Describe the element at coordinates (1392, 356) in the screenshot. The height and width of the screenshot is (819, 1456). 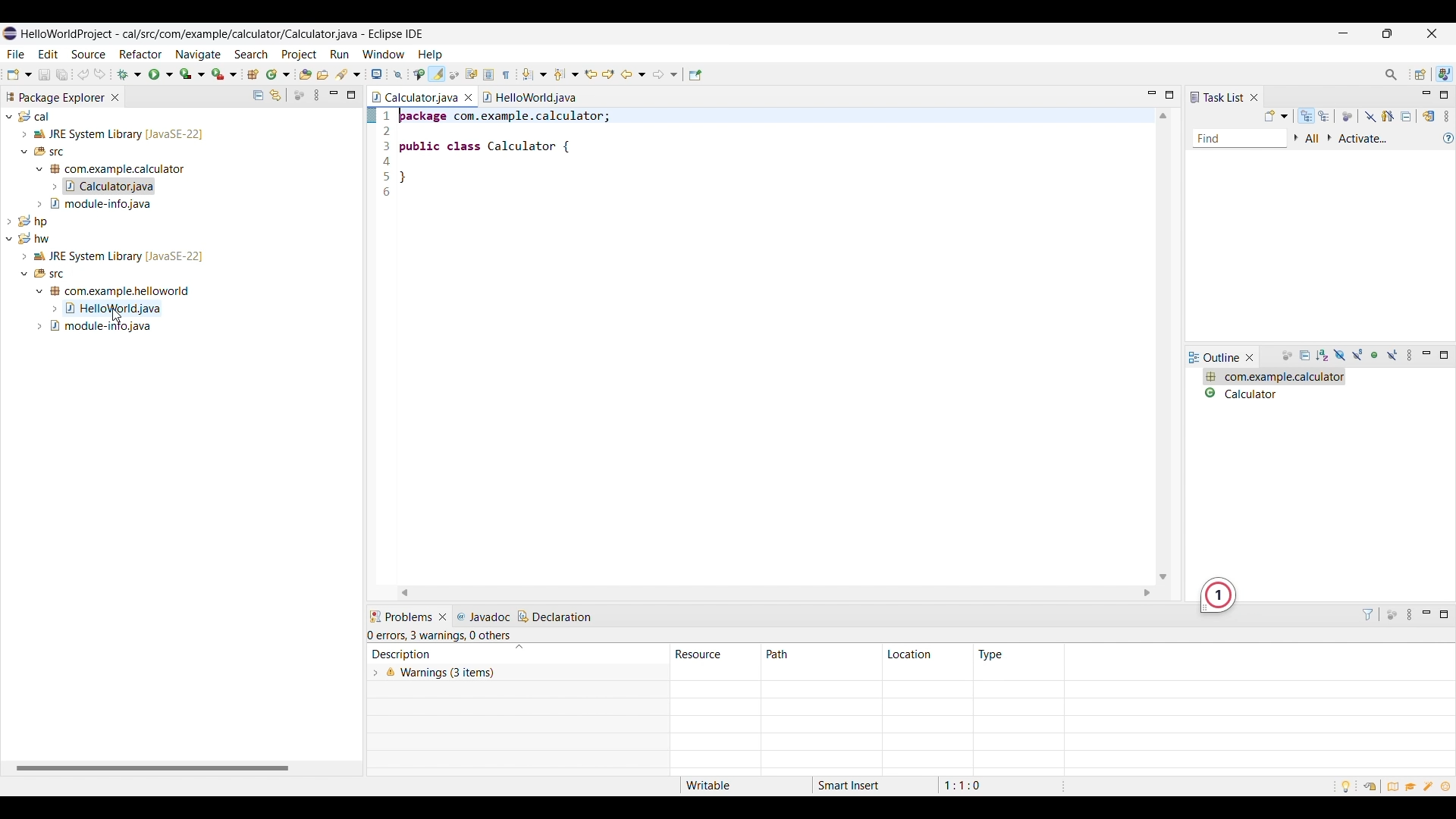
I see `Hide local types` at that location.